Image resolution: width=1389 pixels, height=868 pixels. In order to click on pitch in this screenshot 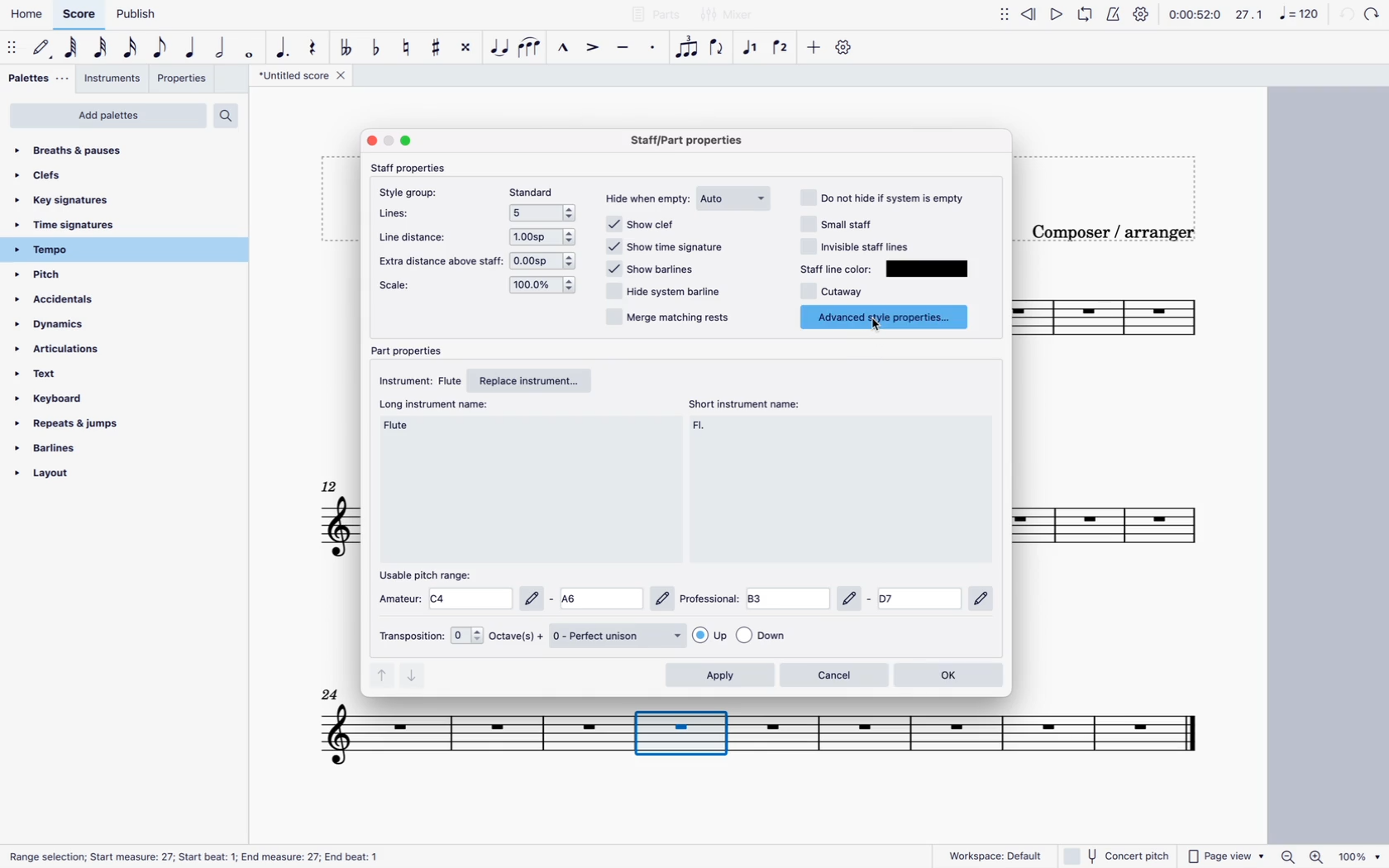, I will do `click(64, 276)`.